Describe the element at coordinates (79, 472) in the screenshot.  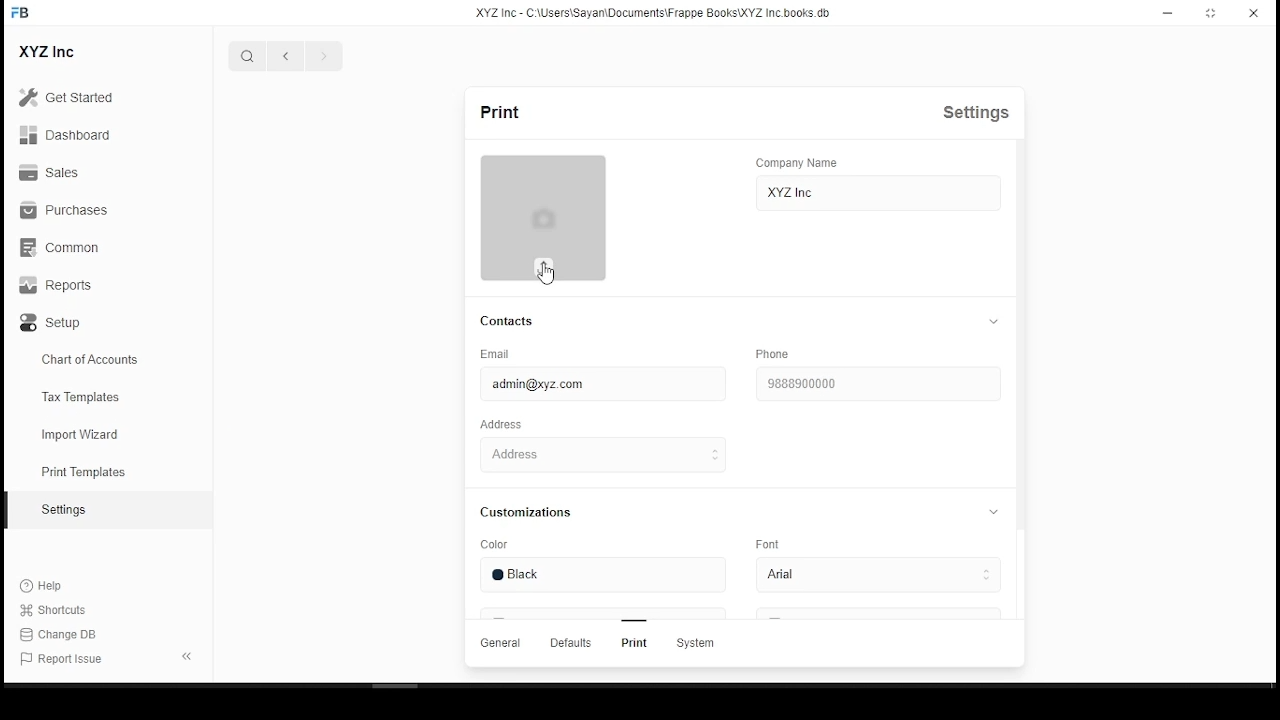
I see `print templates` at that location.